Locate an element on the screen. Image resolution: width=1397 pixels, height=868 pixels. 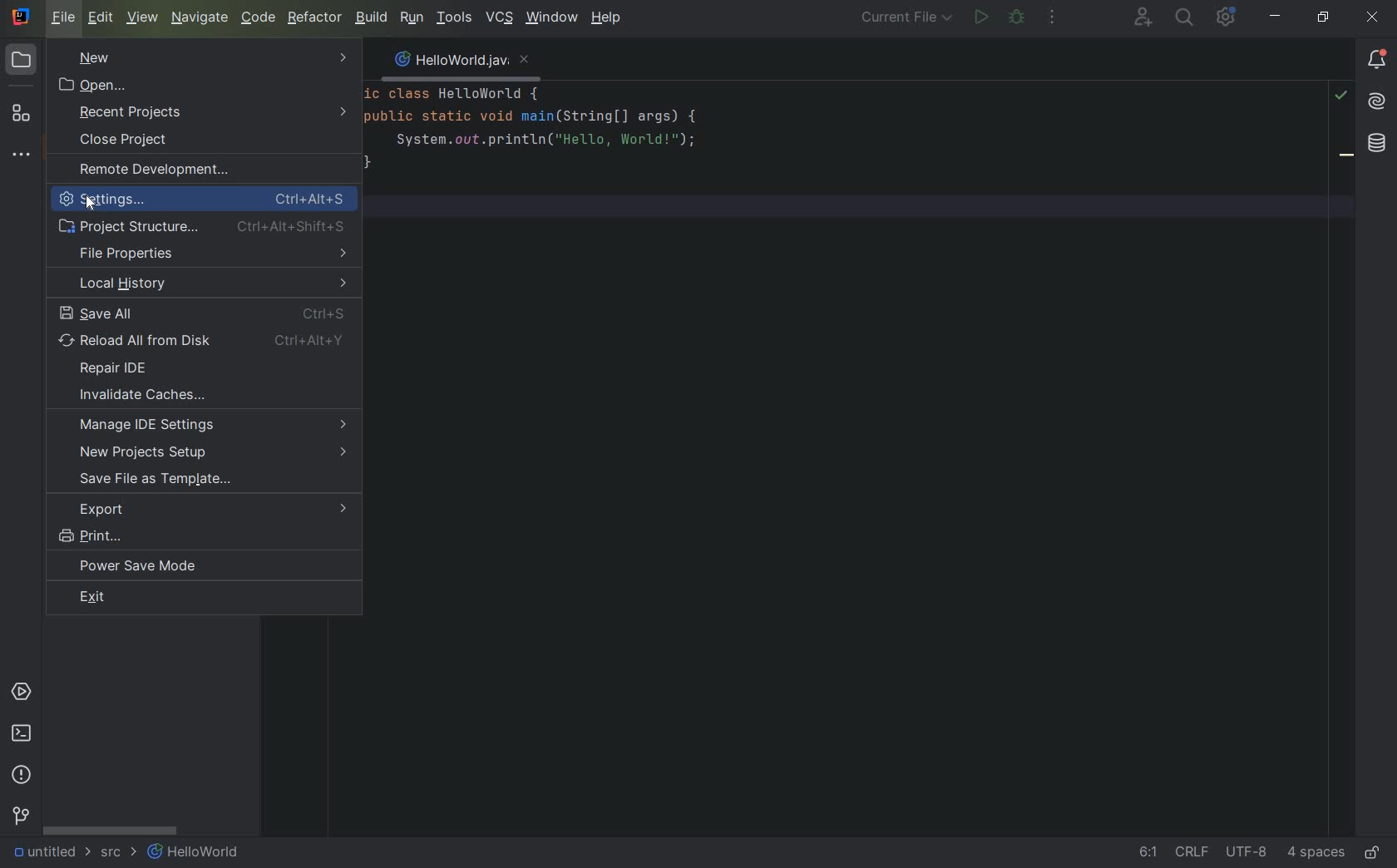
window is located at coordinates (553, 18).